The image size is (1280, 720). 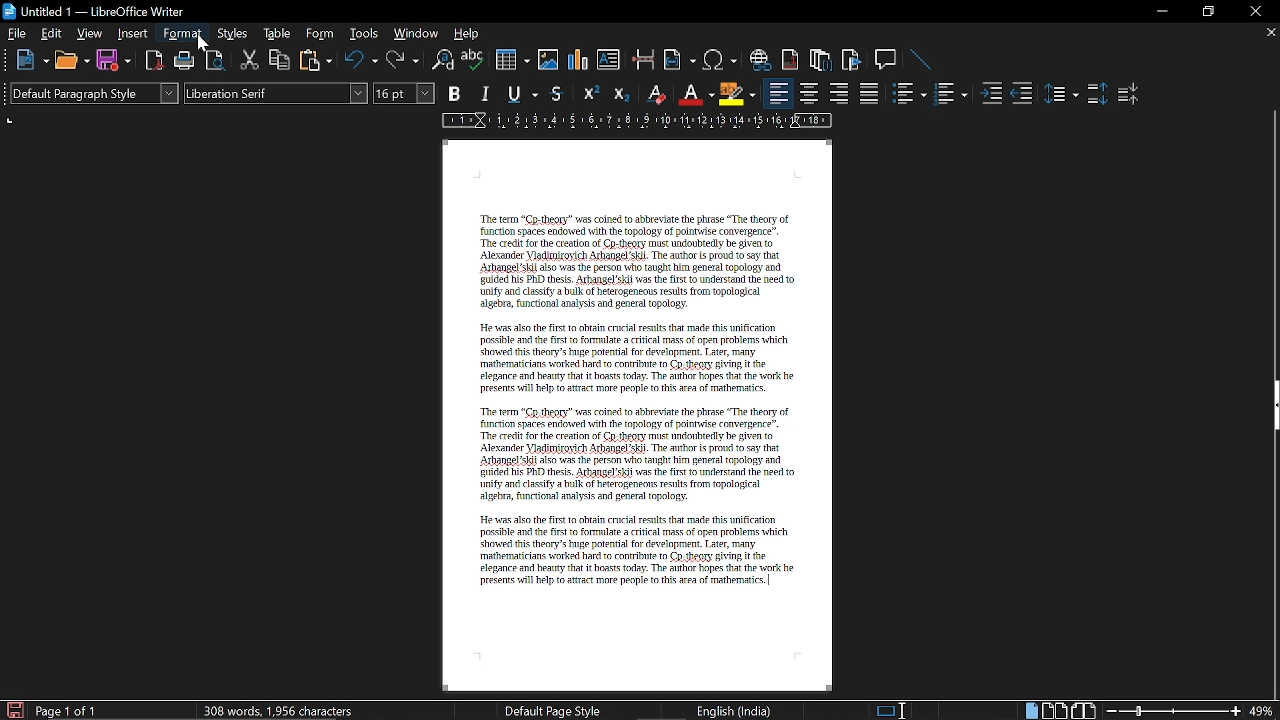 What do you see at coordinates (468, 34) in the screenshot?
I see `Help` at bounding box center [468, 34].